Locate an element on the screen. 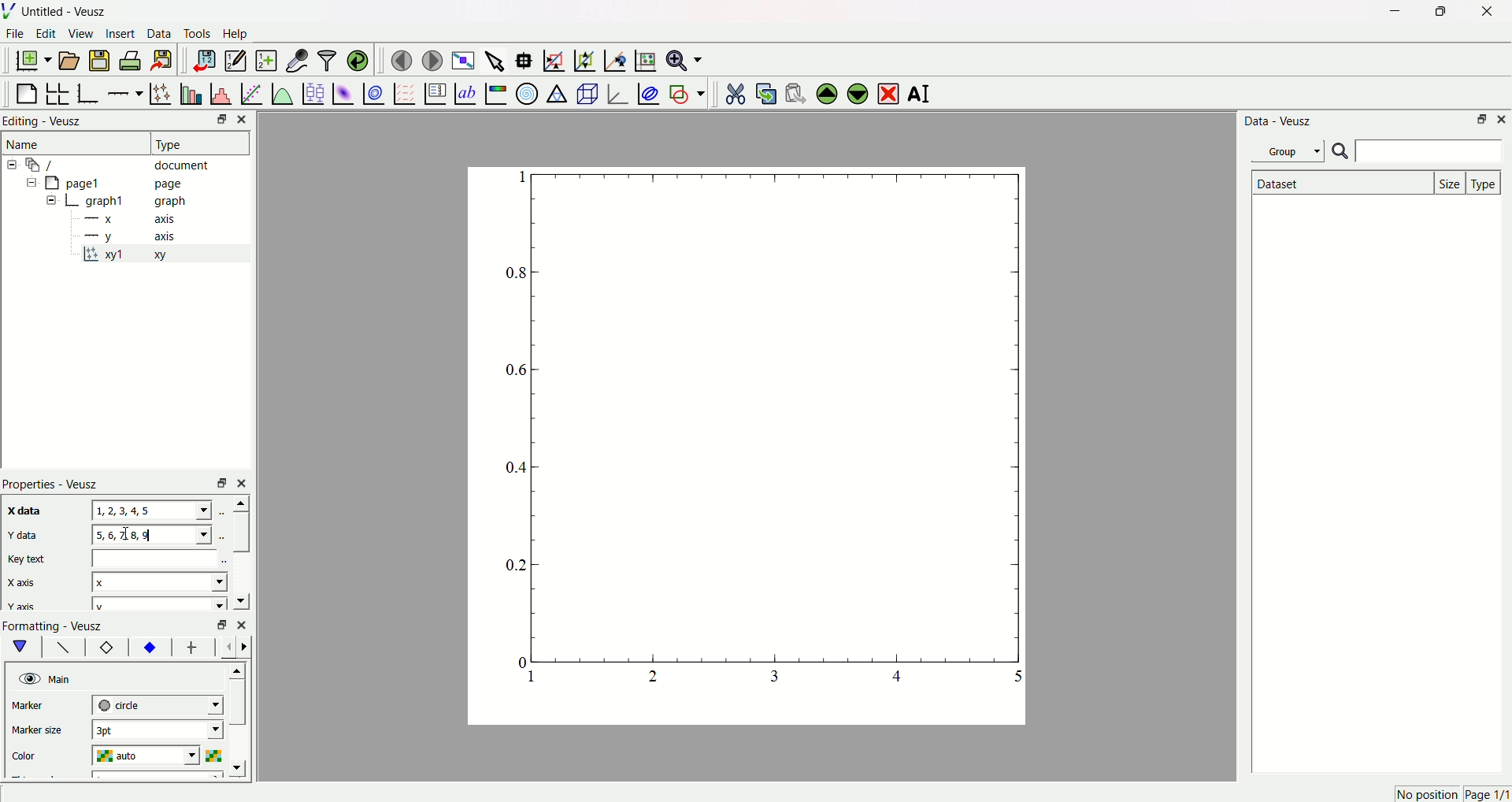 The image size is (1512, 802). cursor is located at coordinates (130, 536).